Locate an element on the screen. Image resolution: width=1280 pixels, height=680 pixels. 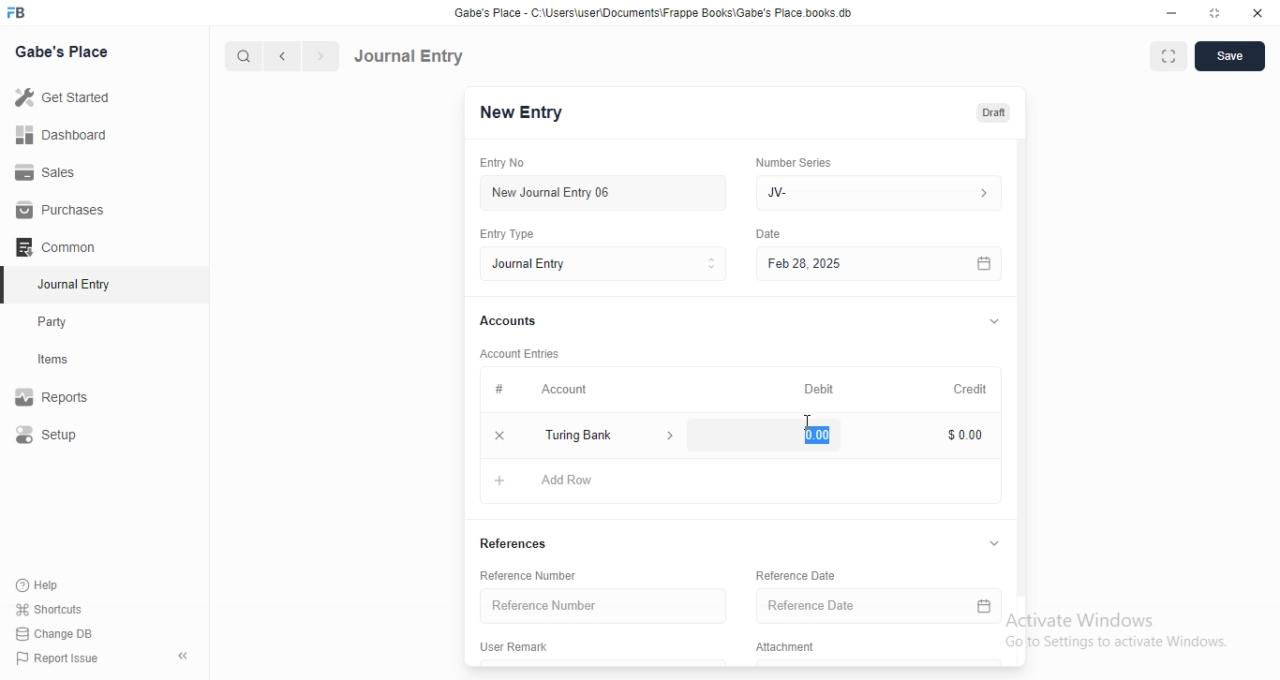
Add Row is located at coordinates (552, 482).